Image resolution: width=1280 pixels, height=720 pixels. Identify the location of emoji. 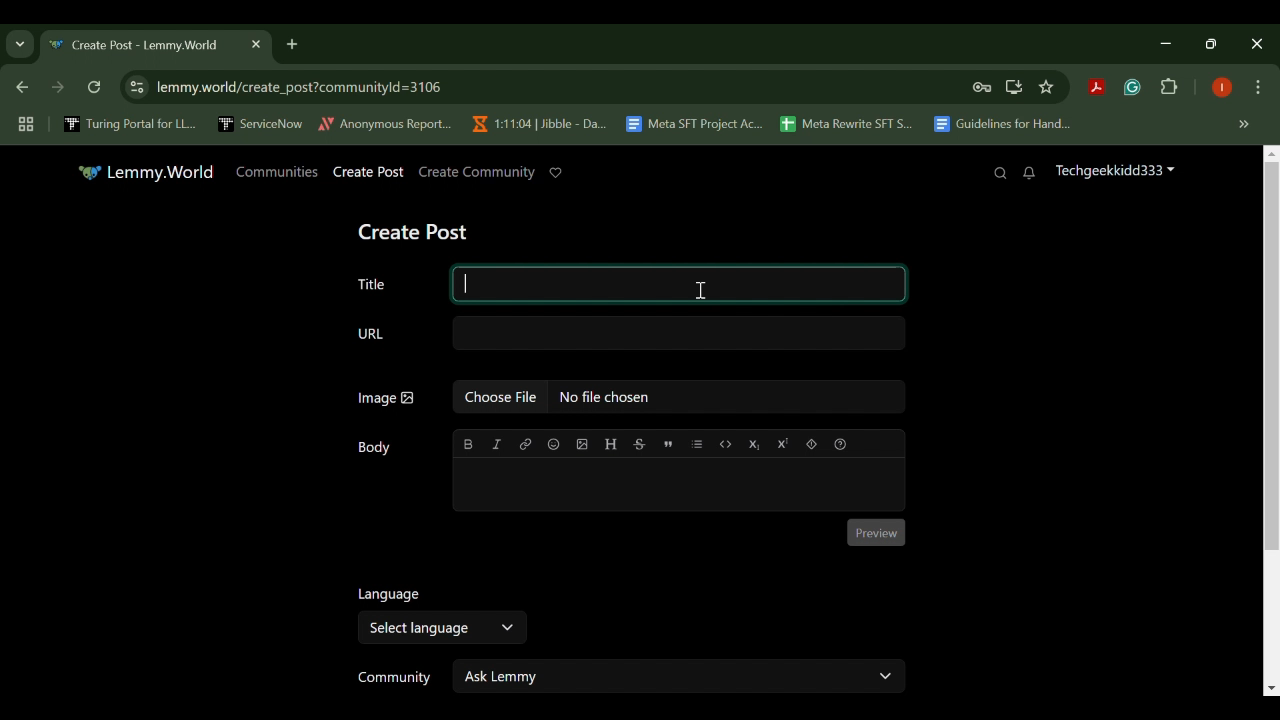
(552, 444).